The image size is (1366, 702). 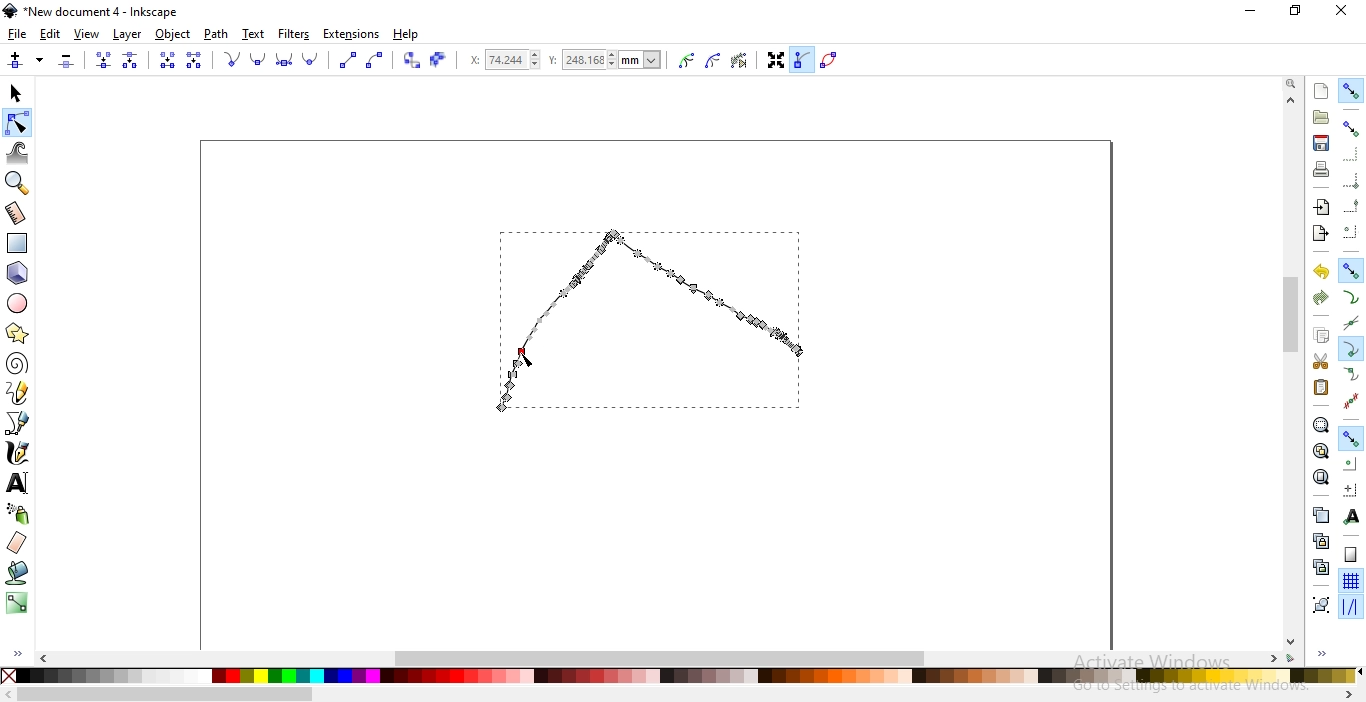 What do you see at coordinates (1322, 91) in the screenshot?
I see `create a document` at bounding box center [1322, 91].